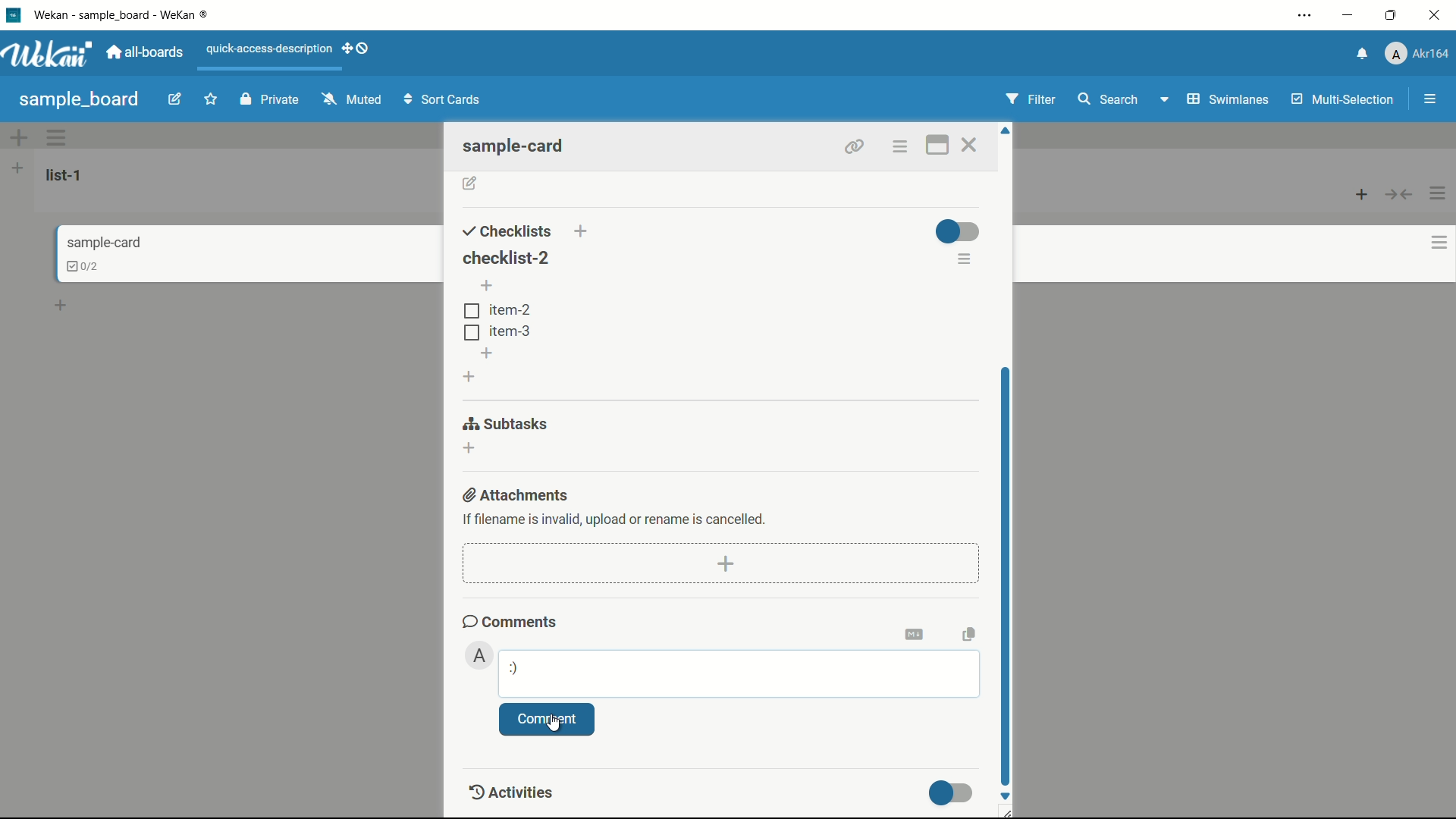  I want to click on add checklist, so click(583, 231).